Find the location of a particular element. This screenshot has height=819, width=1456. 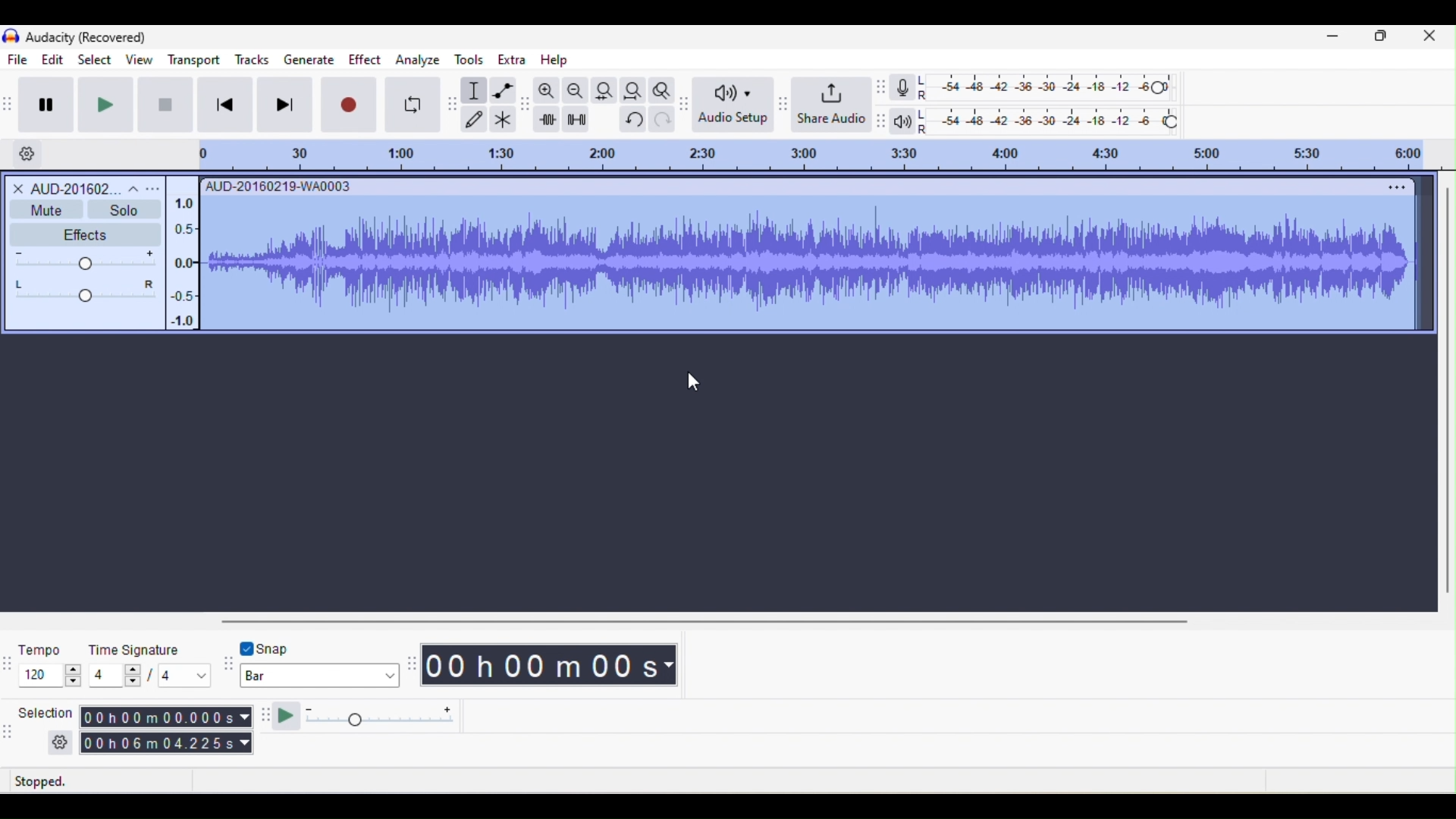

Level is located at coordinates (86, 277).